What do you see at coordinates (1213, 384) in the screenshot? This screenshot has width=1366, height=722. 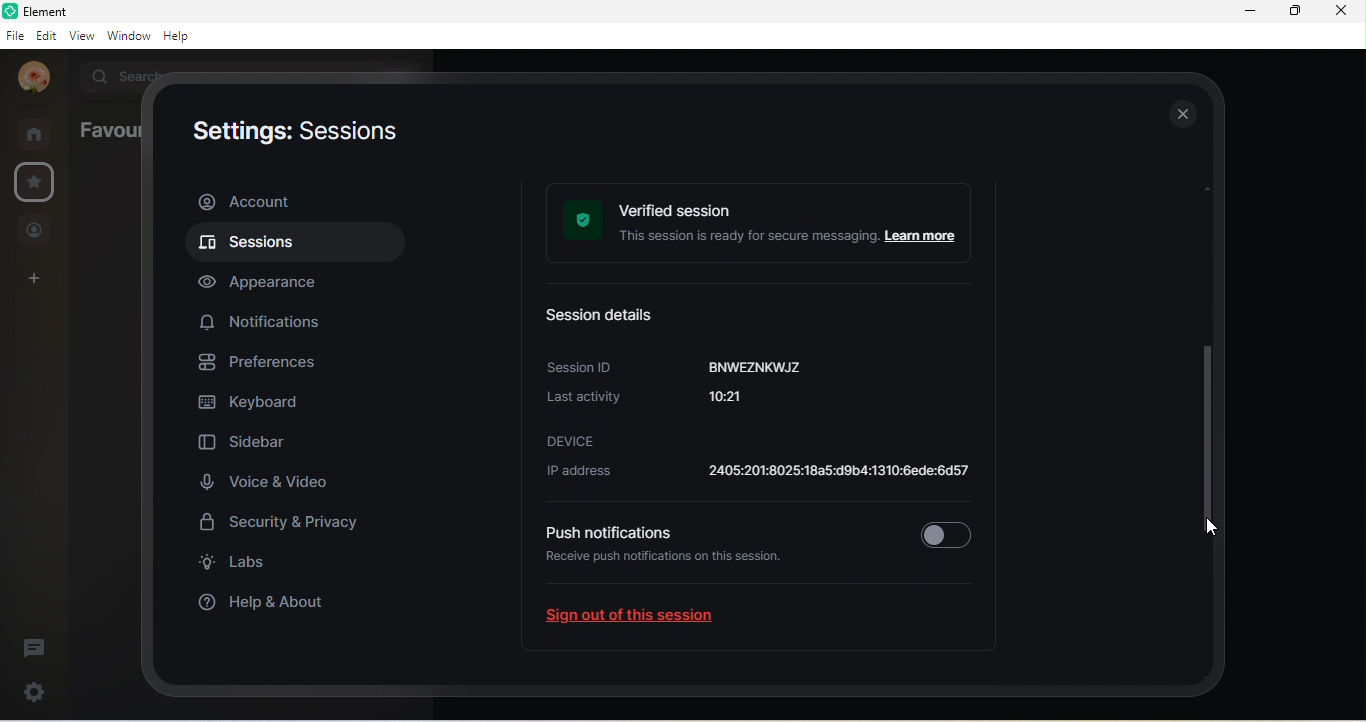 I see `vertical scroll bar` at bounding box center [1213, 384].